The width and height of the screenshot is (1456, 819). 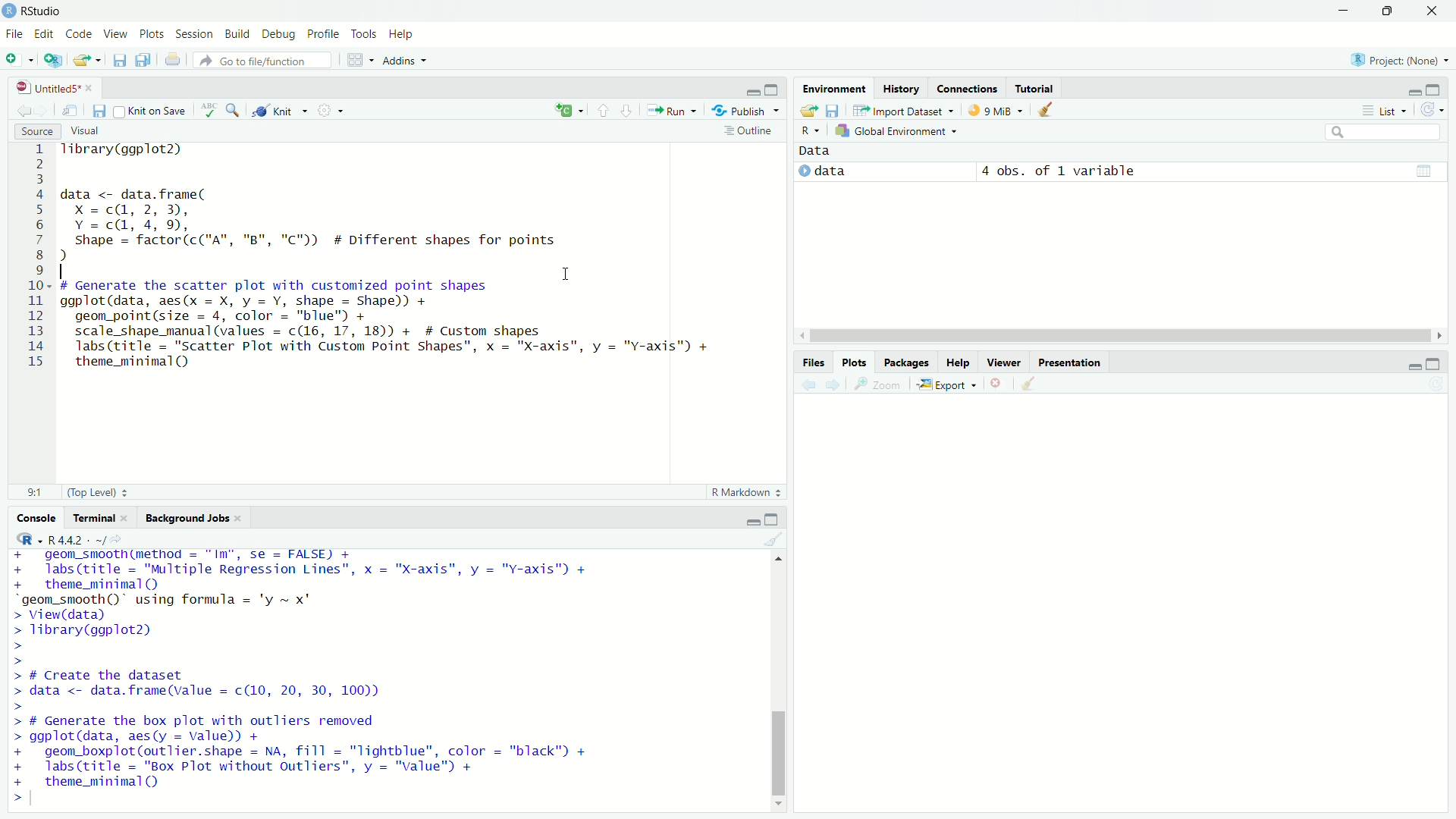 I want to click on Print the current file, so click(x=173, y=59).